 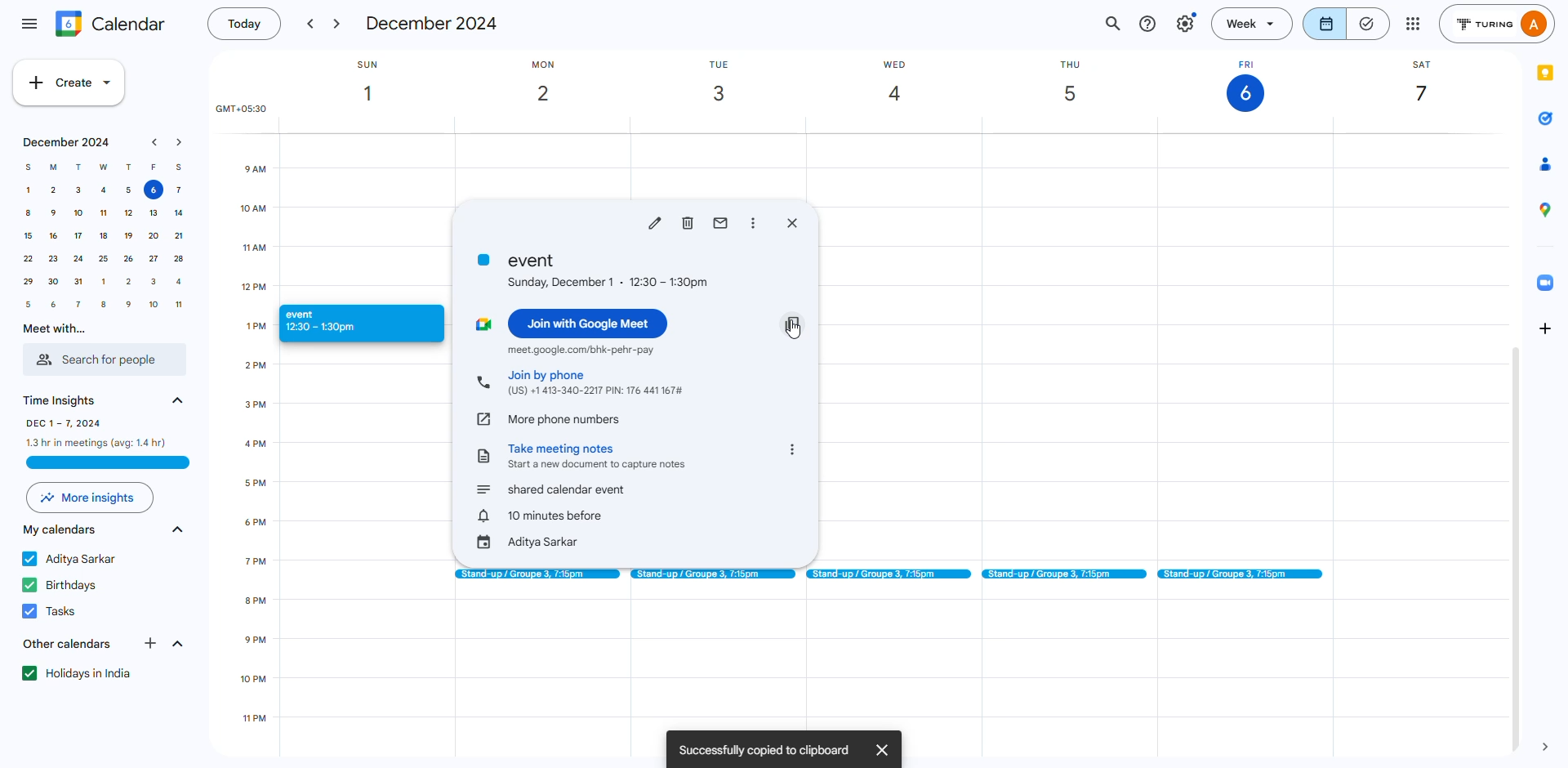 What do you see at coordinates (53, 215) in the screenshot?
I see `9` at bounding box center [53, 215].